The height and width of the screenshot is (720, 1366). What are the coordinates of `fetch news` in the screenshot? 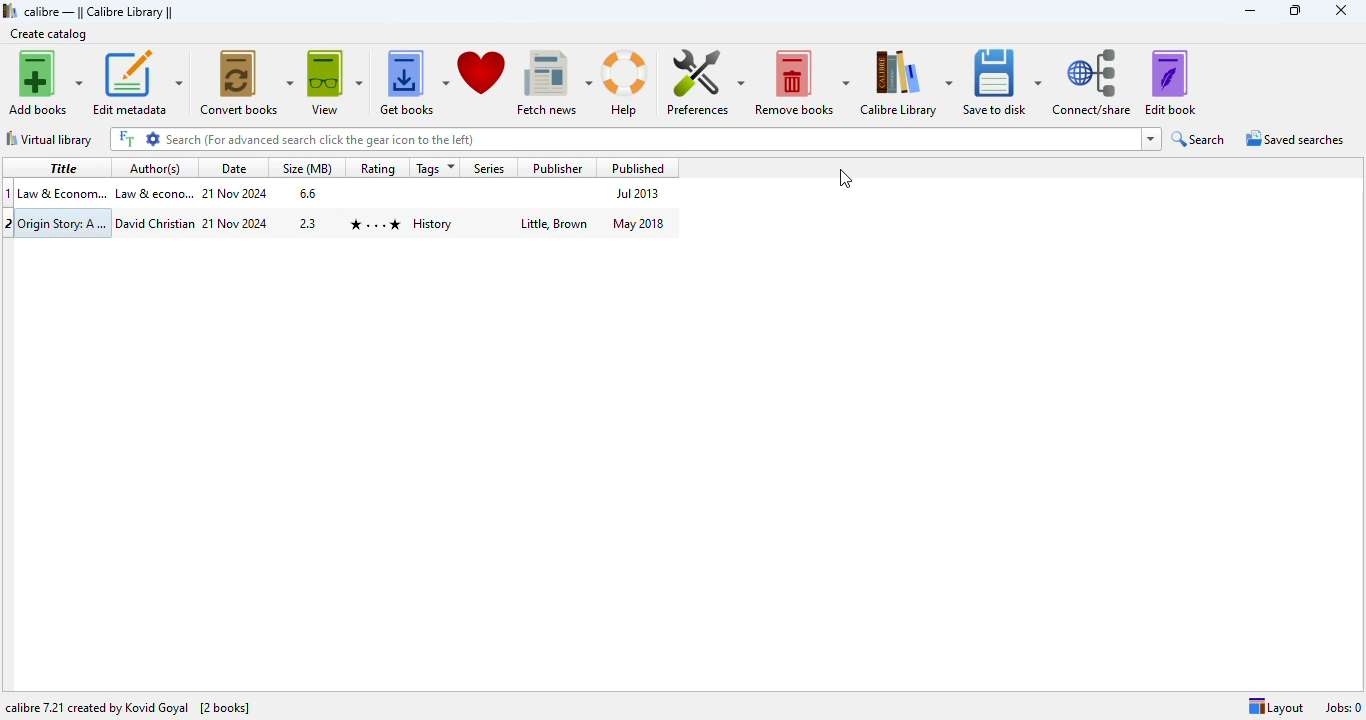 It's located at (555, 79).